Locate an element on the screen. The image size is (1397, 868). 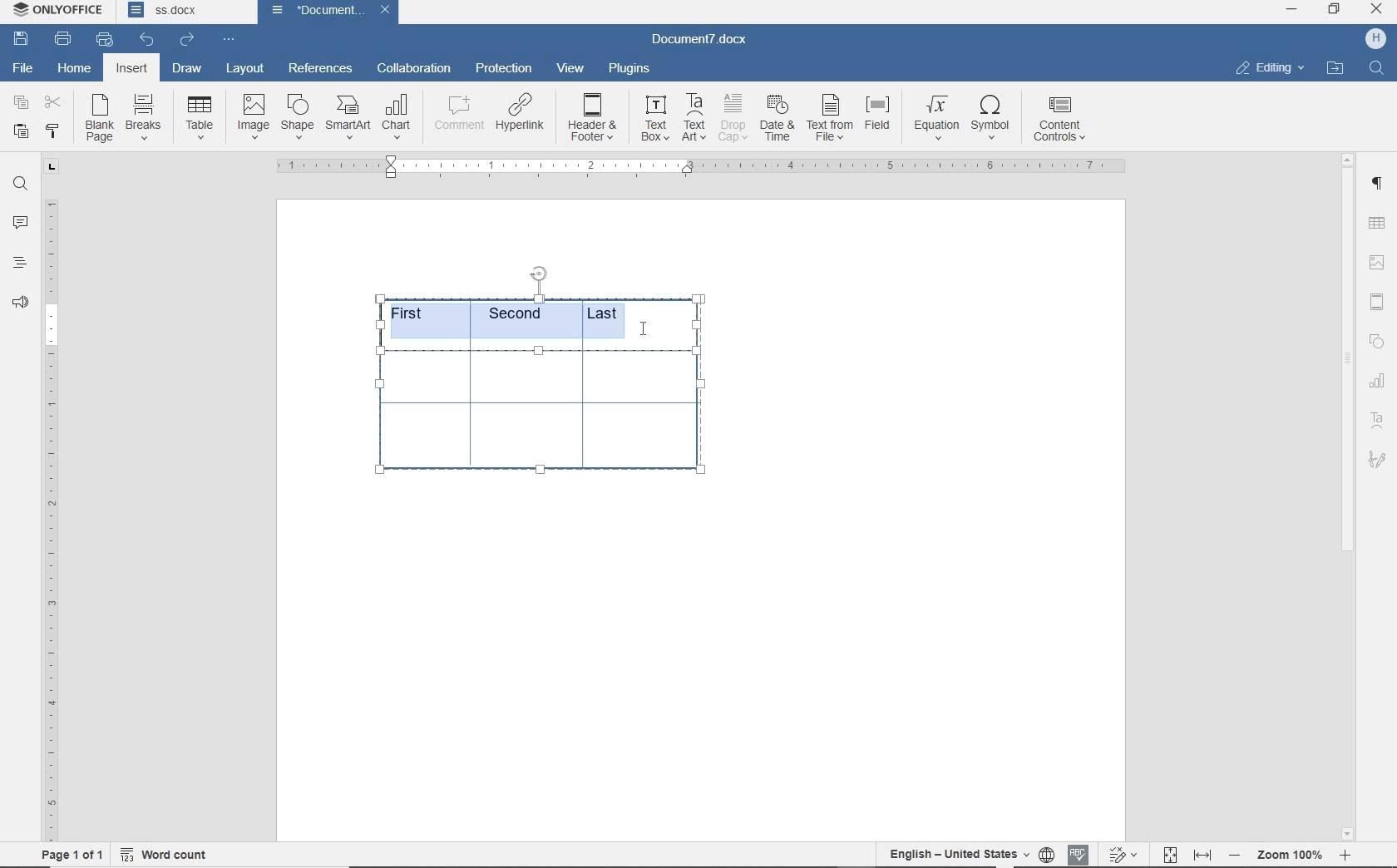
signature is located at coordinates (1379, 462).